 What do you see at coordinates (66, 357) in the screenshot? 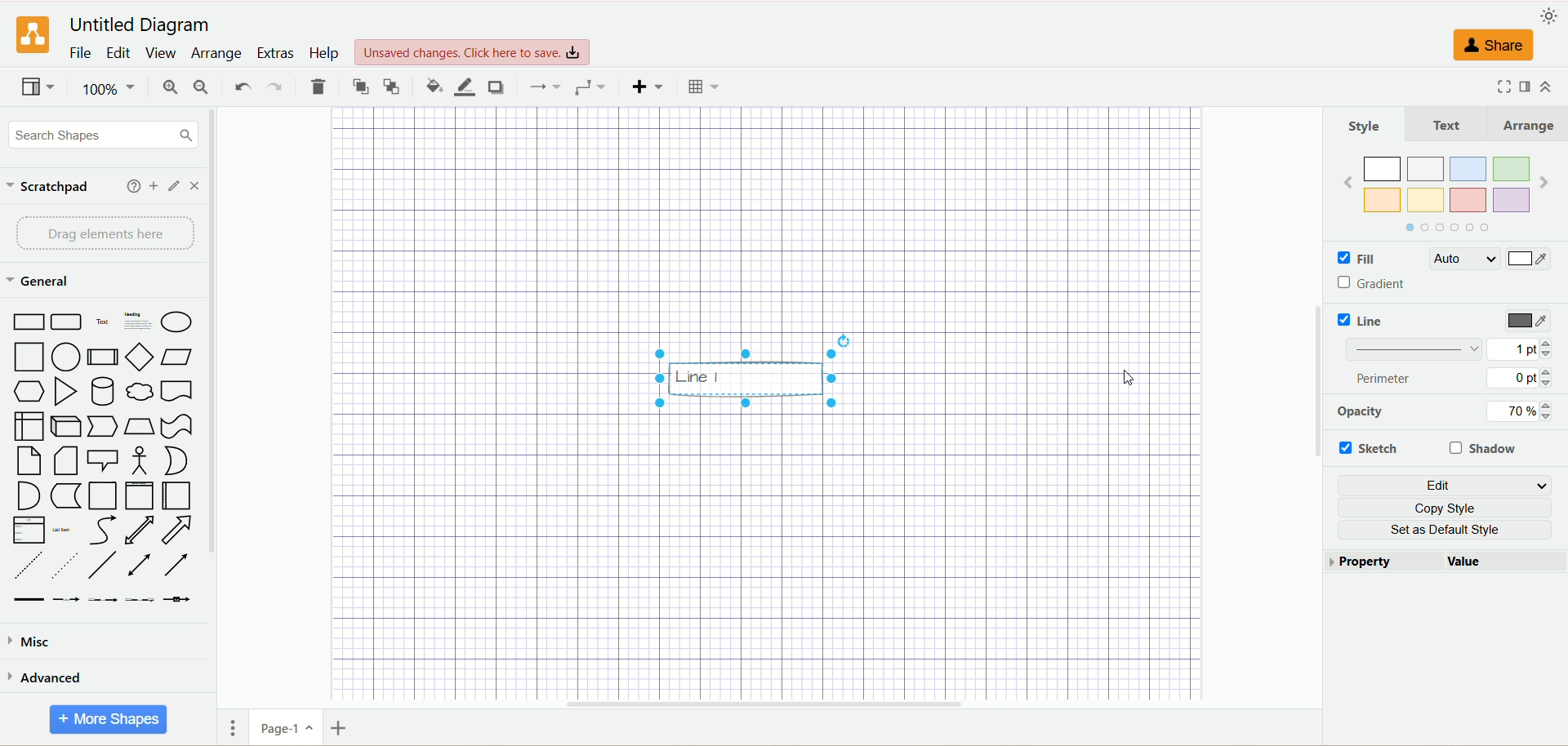
I see `Circle` at bounding box center [66, 357].